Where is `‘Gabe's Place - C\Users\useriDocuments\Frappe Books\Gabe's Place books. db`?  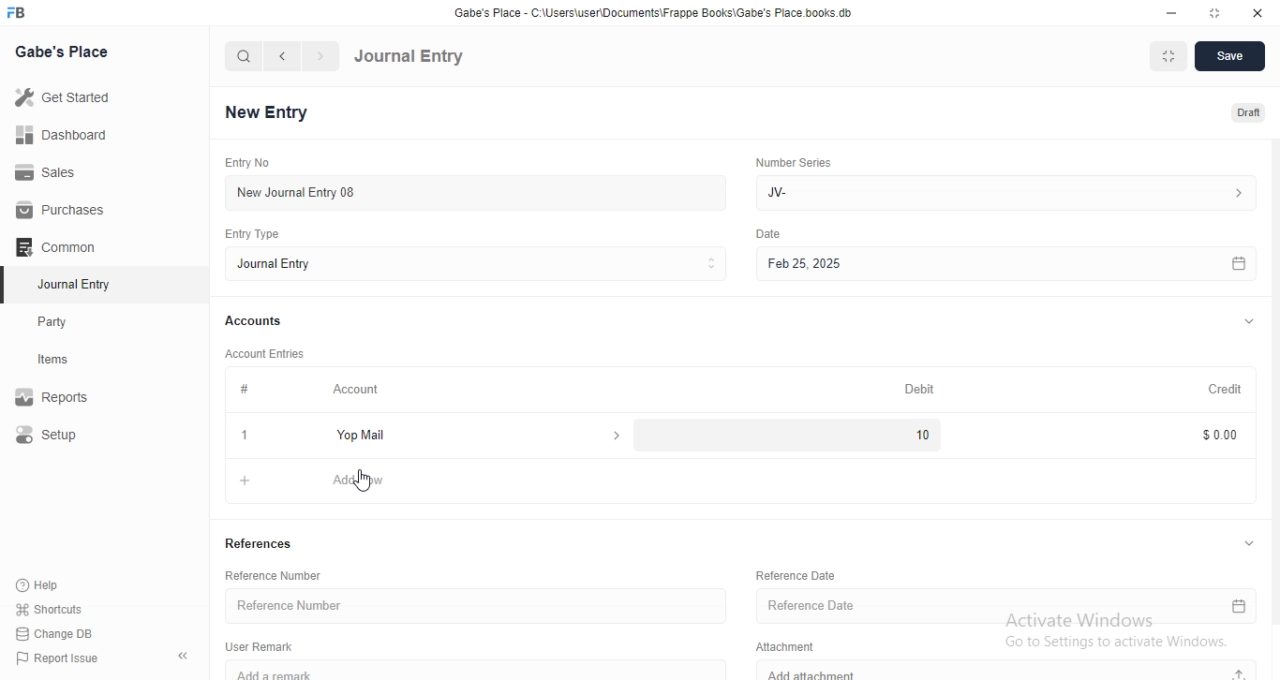
‘Gabe's Place - C\Users\useriDocuments\Frappe Books\Gabe's Place books. db is located at coordinates (650, 10).